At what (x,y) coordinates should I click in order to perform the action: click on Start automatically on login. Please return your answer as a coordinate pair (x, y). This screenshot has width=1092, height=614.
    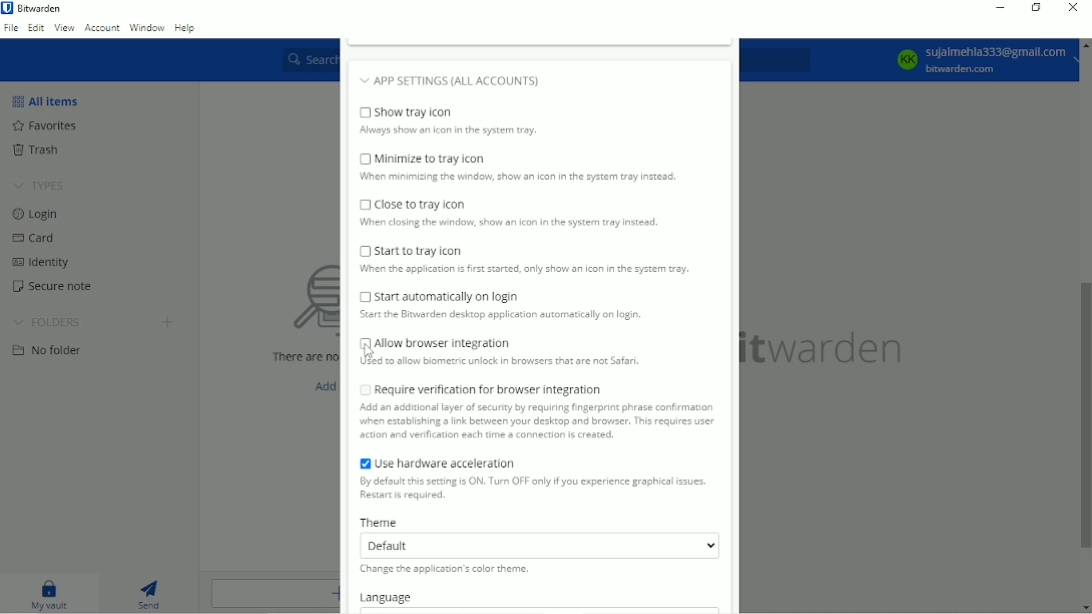
    Looking at the image, I should click on (440, 297).